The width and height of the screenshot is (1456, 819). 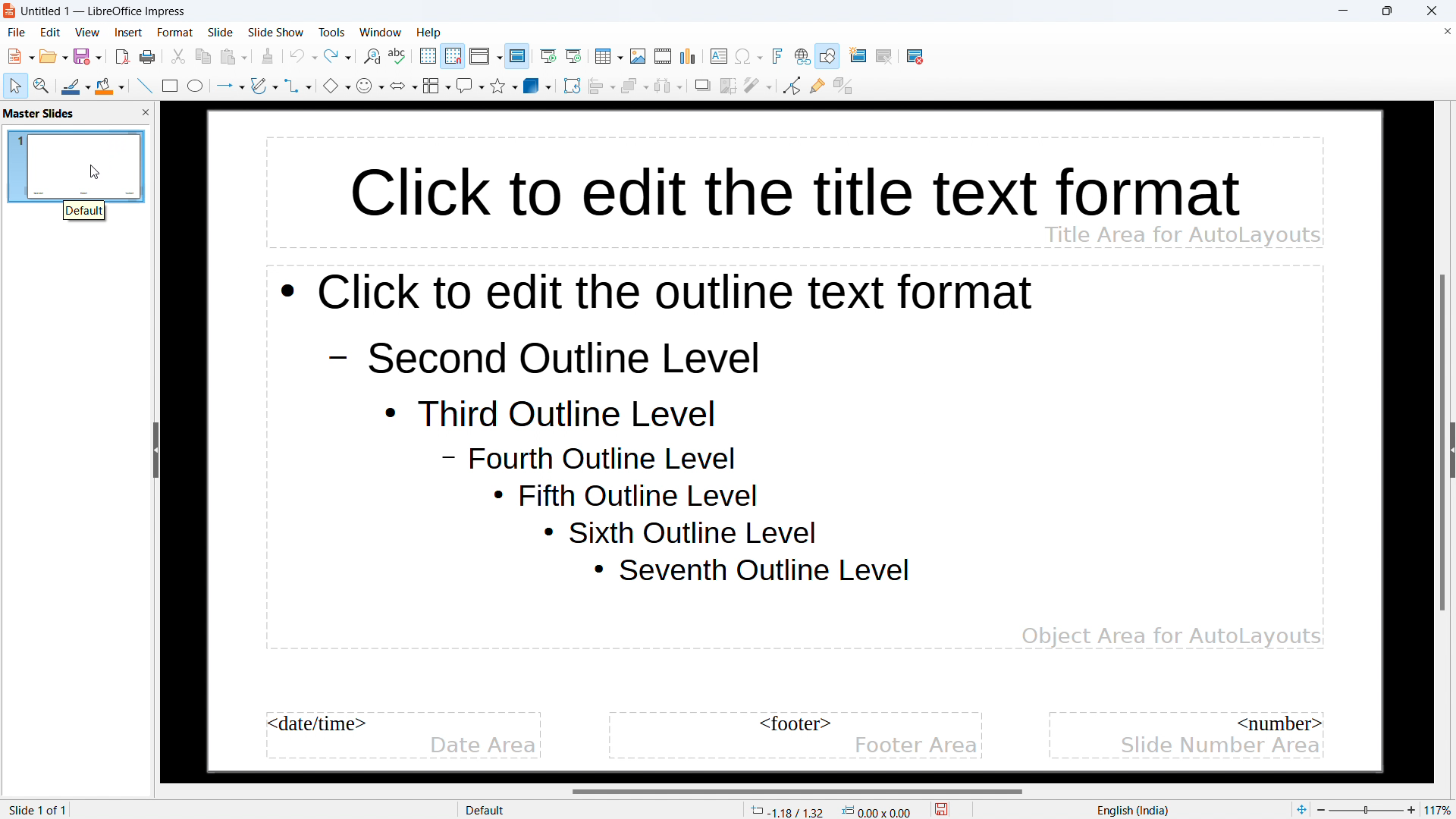 I want to click on snap to grid, so click(x=453, y=56).